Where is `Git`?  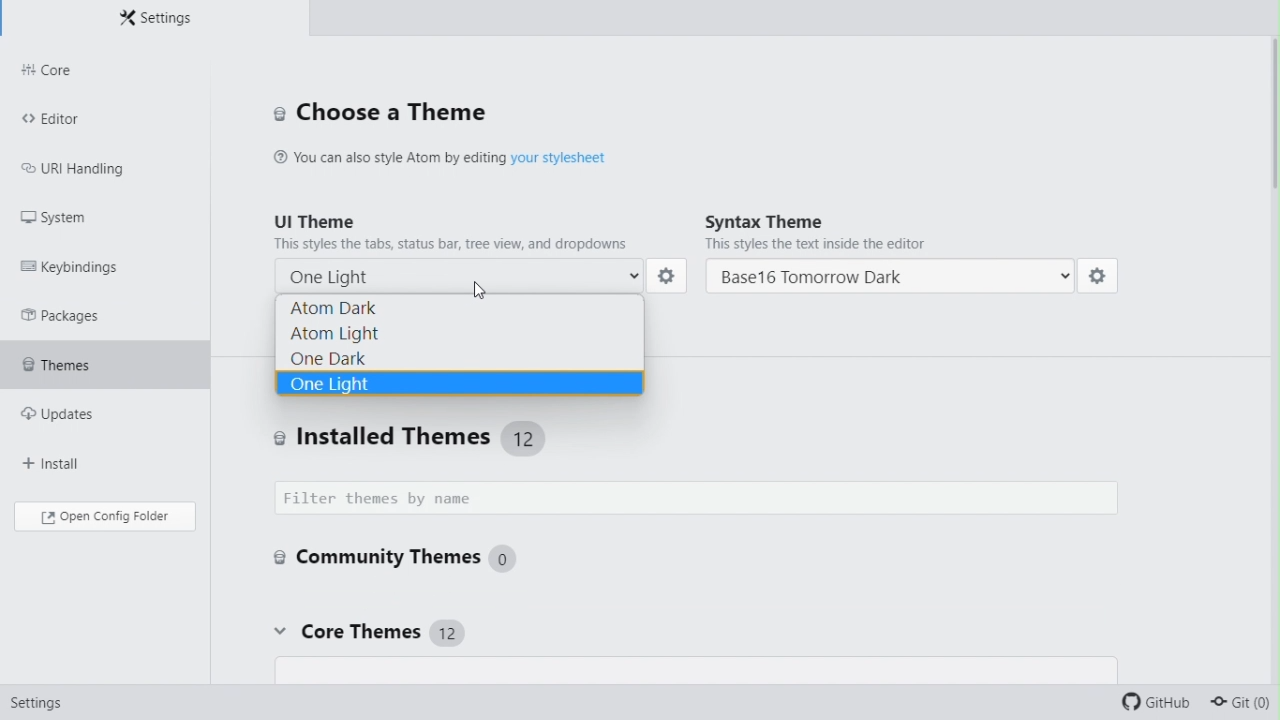 Git is located at coordinates (1243, 704).